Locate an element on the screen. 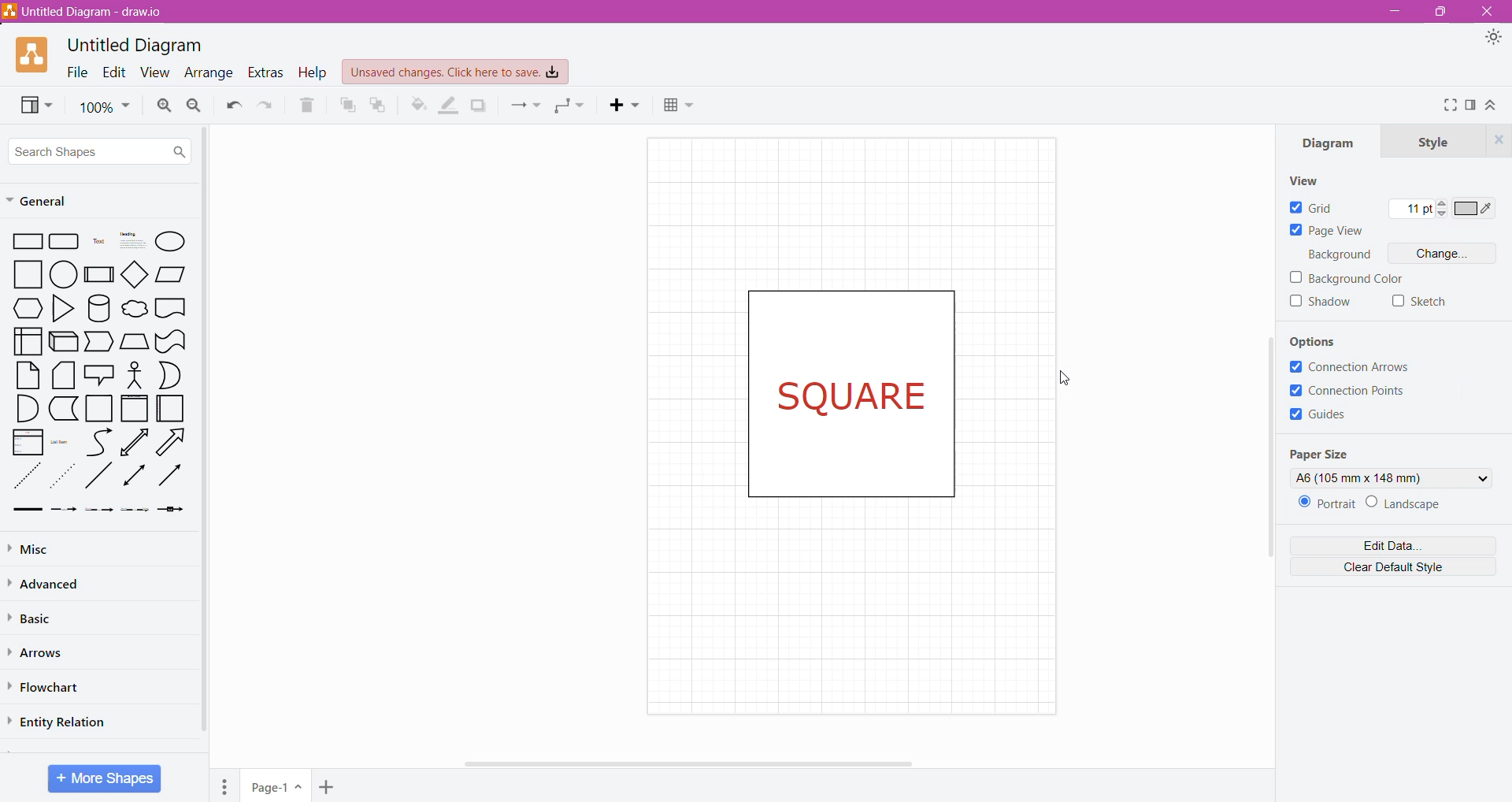 This screenshot has width=1512, height=802. Help is located at coordinates (315, 72).